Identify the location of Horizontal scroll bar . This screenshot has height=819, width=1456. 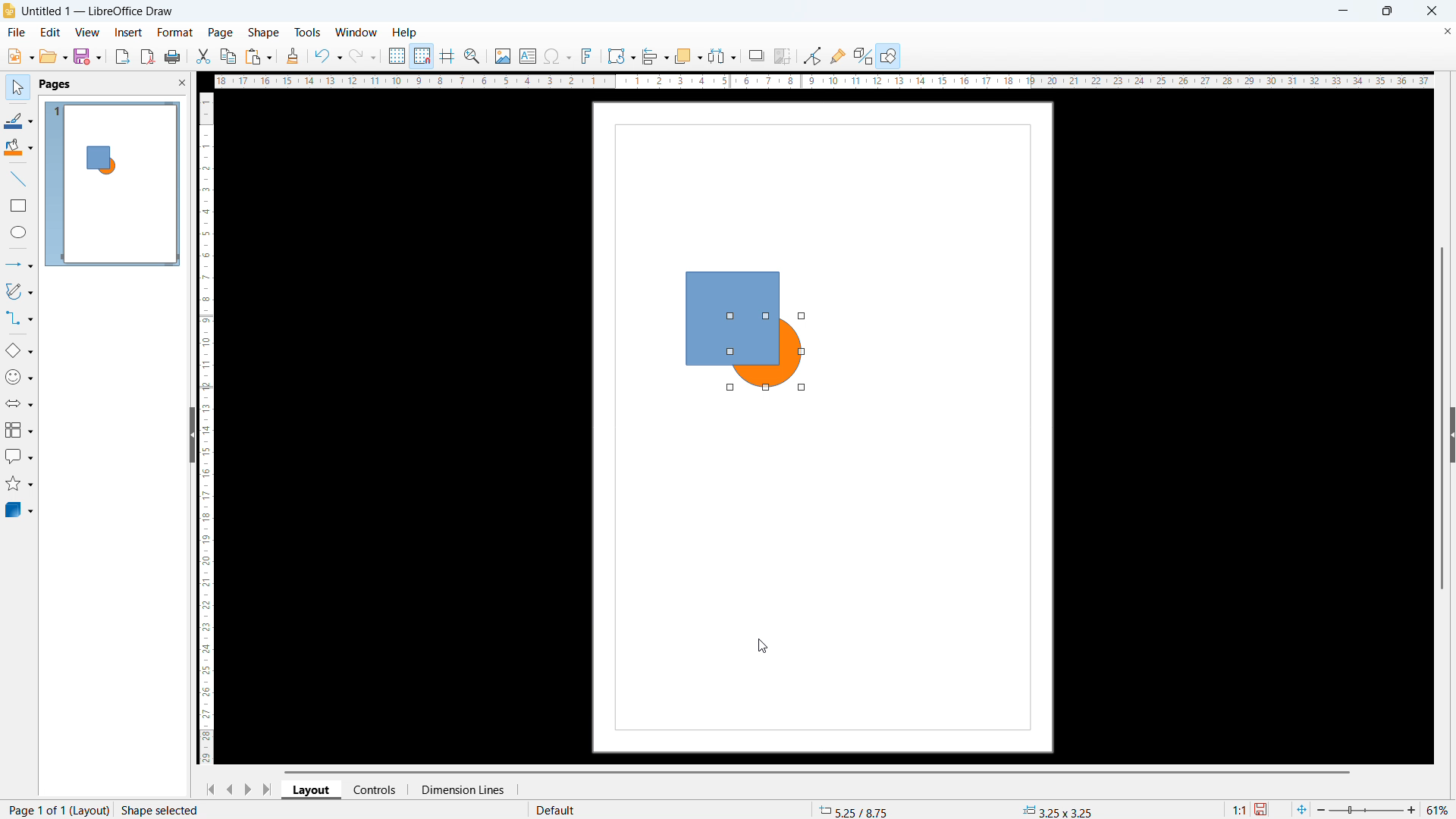
(817, 772).